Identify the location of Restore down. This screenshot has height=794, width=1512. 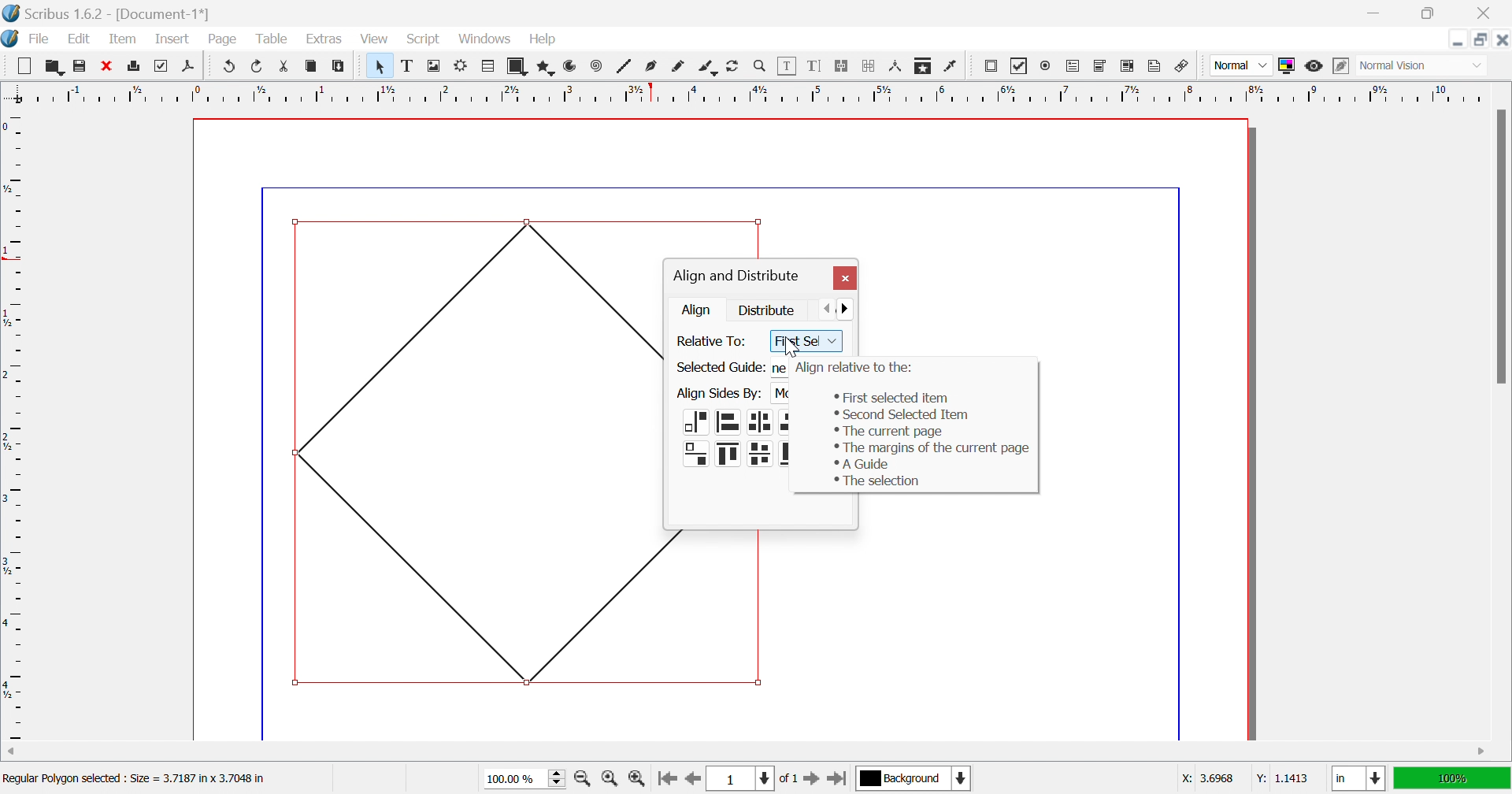
(1481, 39).